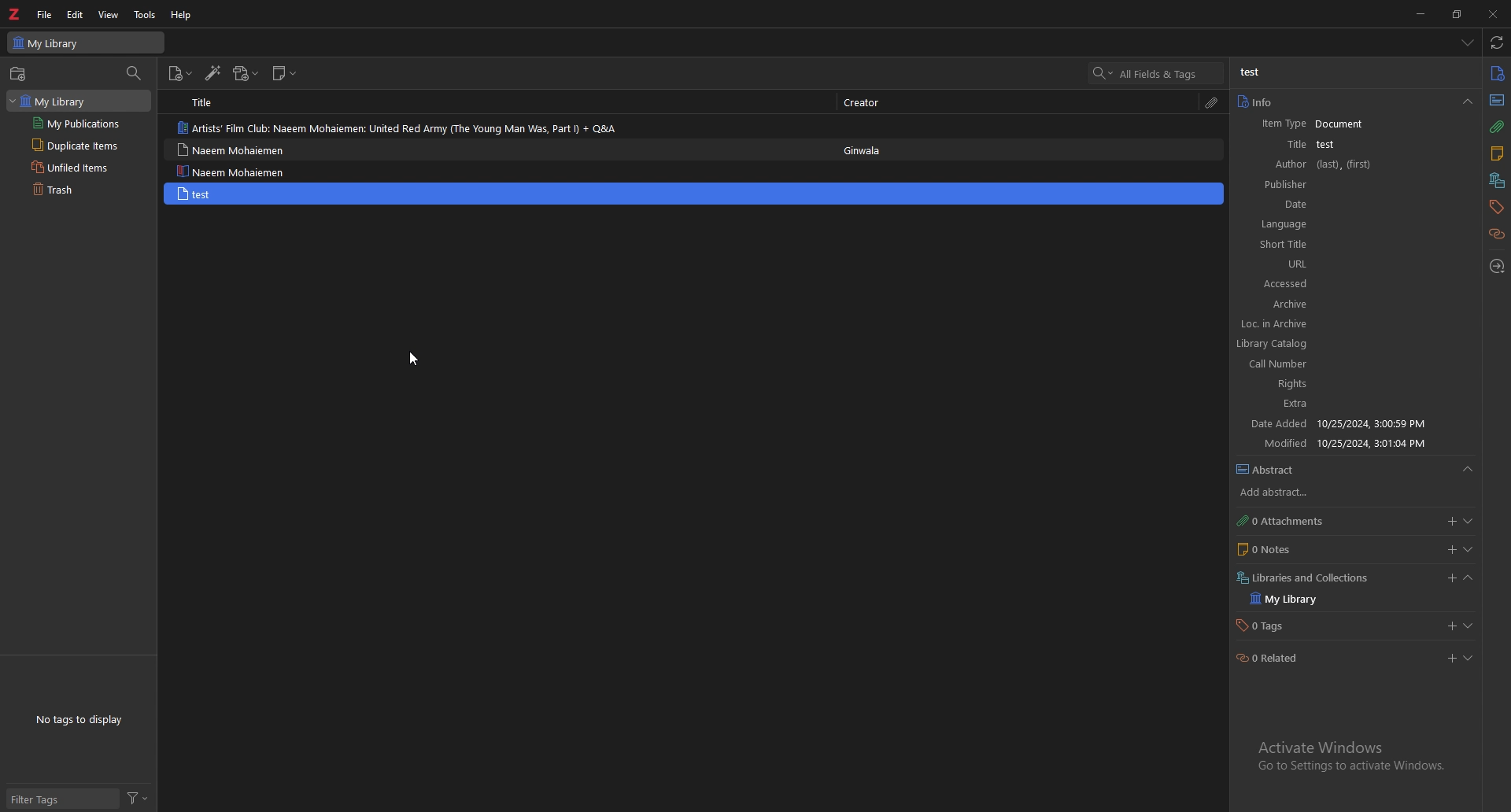 Image resolution: width=1511 pixels, height=812 pixels. Describe the element at coordinates (1302, 578) in the screenshot. I see `Libraries and Collection` at that location.